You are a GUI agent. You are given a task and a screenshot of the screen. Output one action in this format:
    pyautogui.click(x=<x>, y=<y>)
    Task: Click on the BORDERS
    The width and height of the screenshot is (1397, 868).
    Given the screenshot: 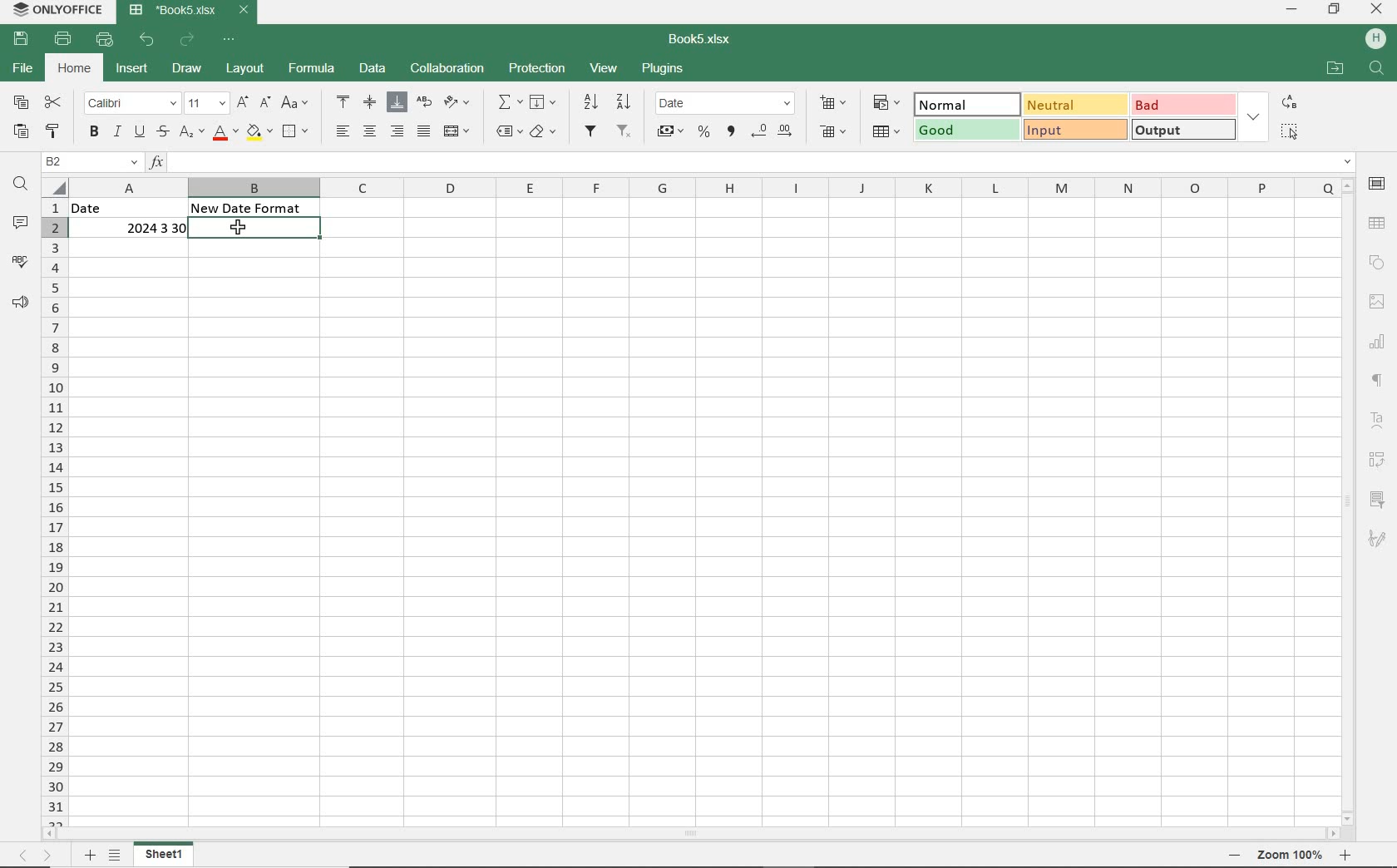 What is the action you would take?
    pyautogui.click(x=298, y=131)
    